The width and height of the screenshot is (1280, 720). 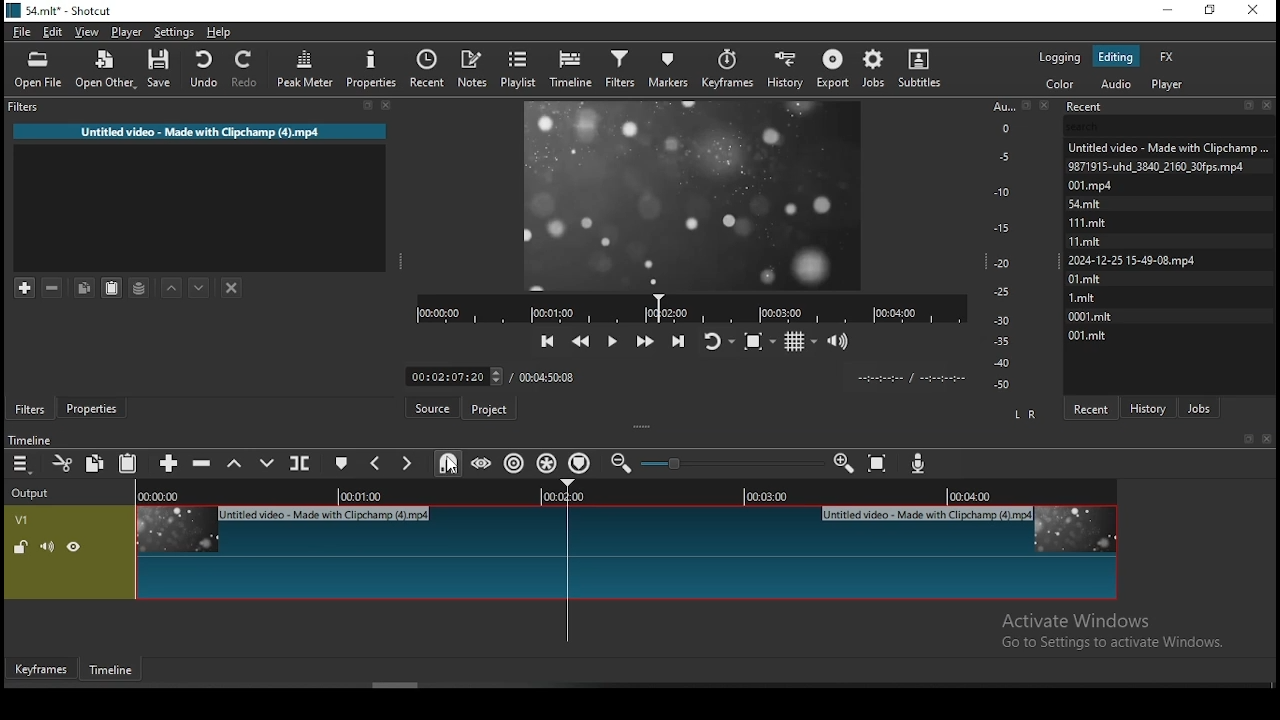 I want to click on edit, so click(x=51, y=32).